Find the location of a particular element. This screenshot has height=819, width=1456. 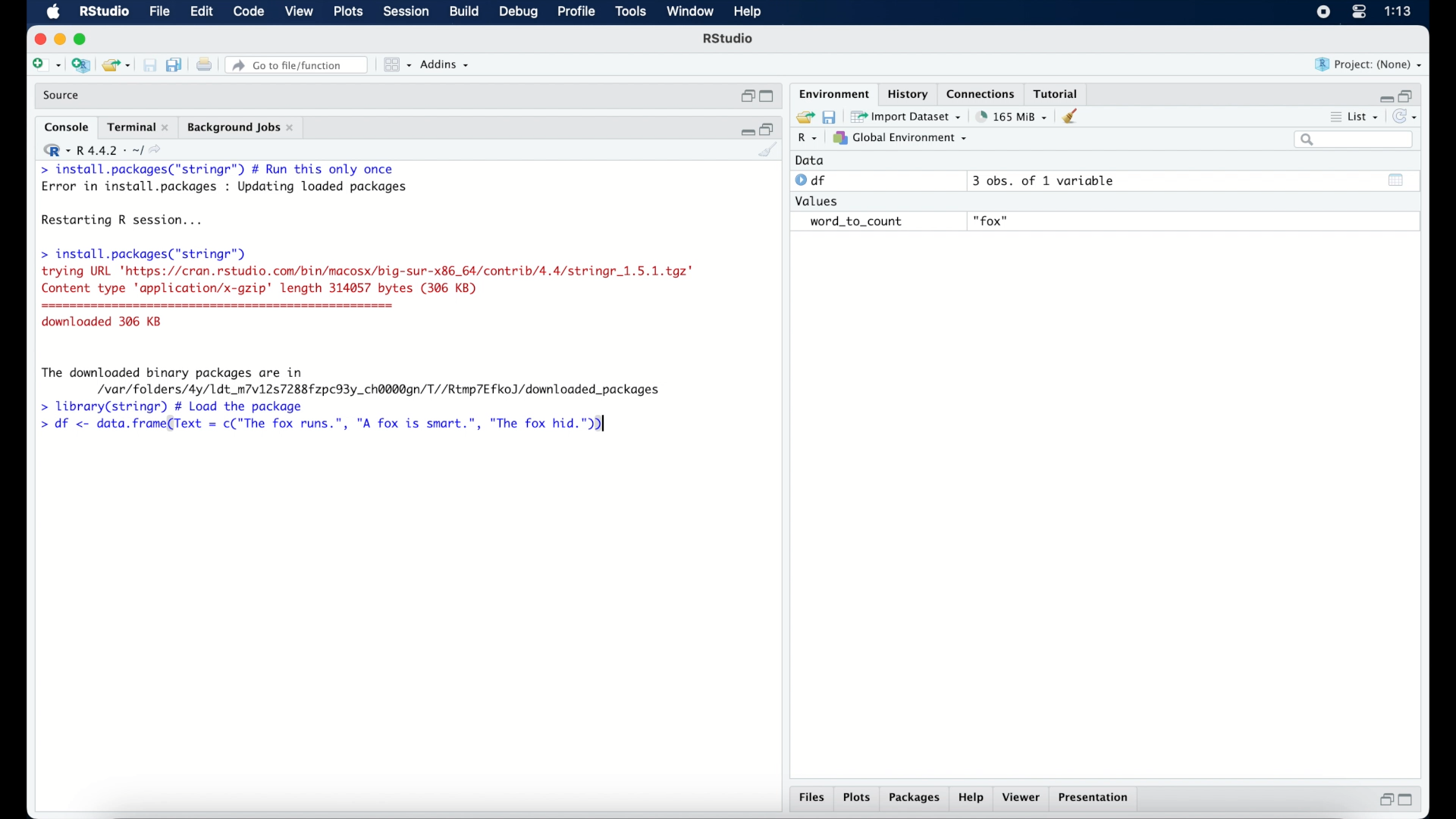

load existing project is located at coordinates (119, 66).